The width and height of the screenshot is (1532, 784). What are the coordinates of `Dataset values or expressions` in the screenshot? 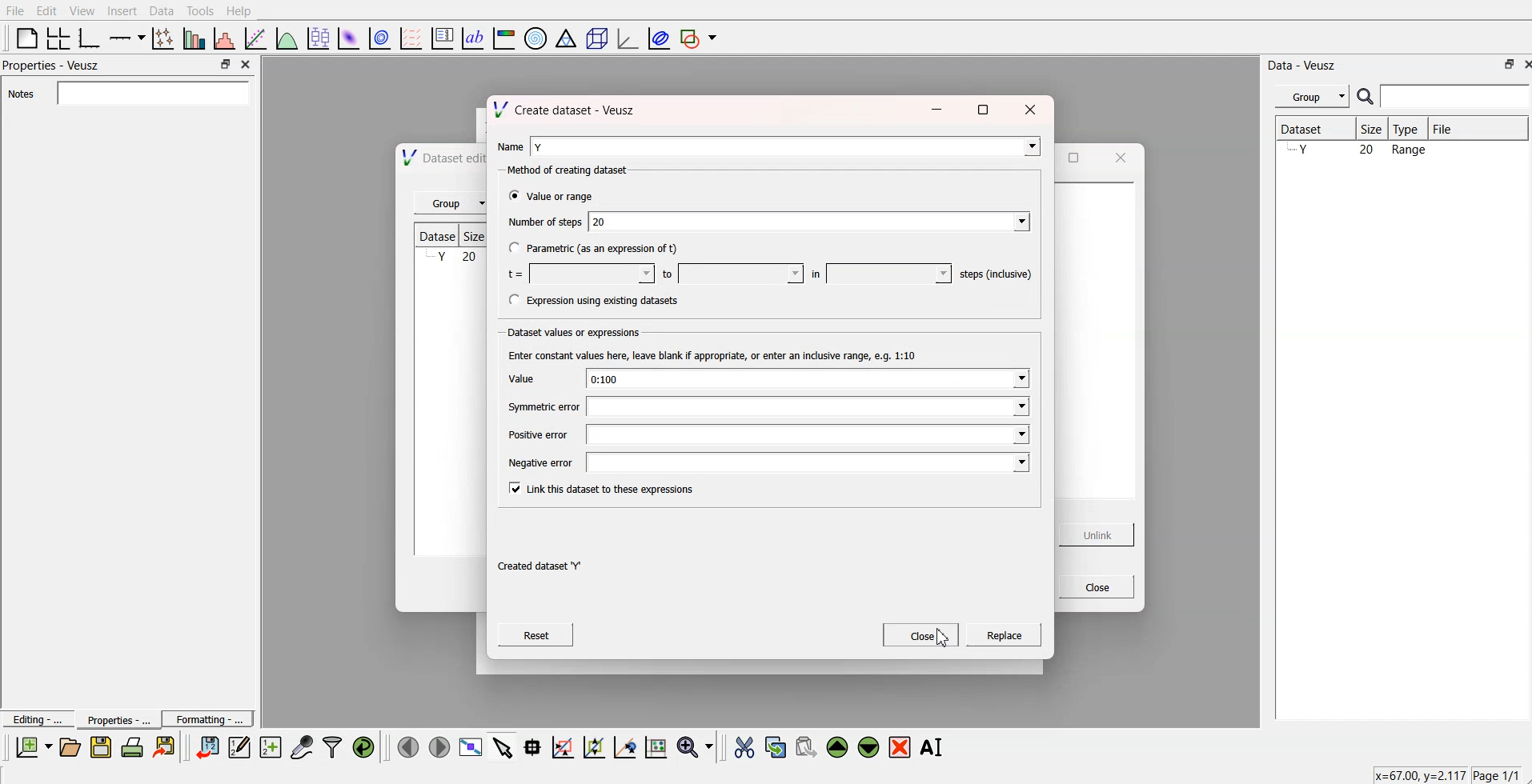 It's located at (571, 331).